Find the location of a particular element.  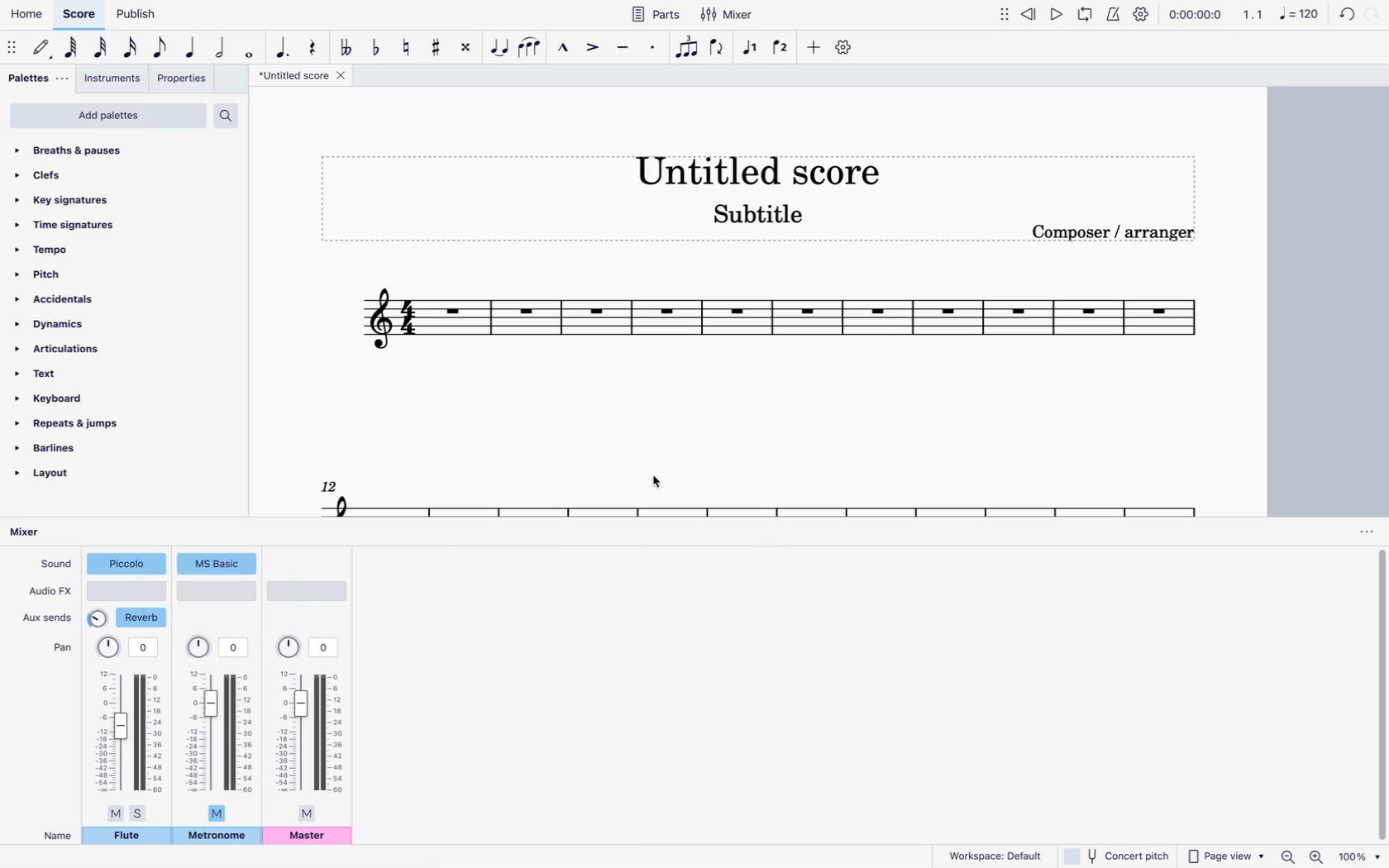

16th note is located at coordinates (131, 50).